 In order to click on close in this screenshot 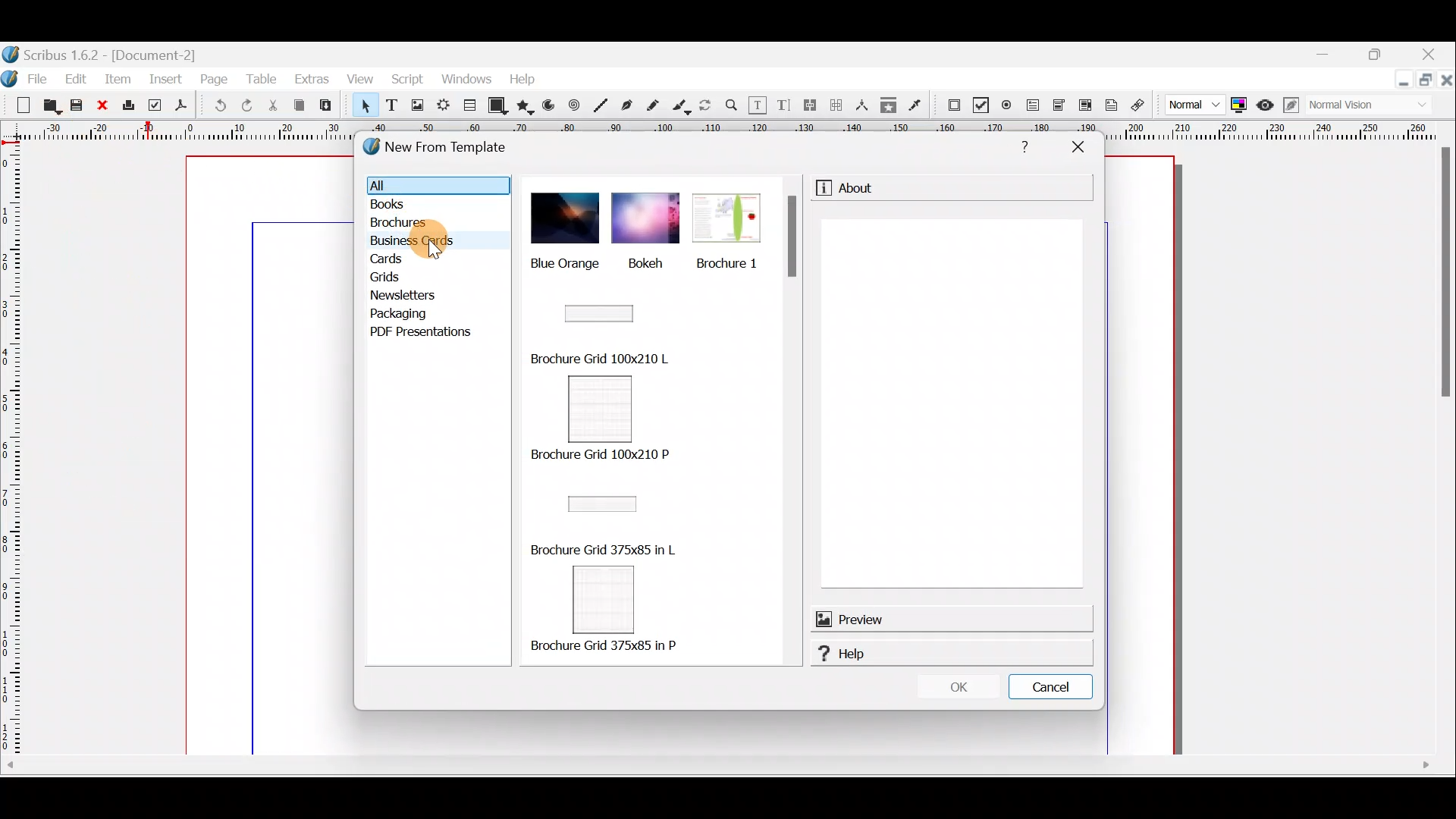, I will do `click(1447, 78)`.